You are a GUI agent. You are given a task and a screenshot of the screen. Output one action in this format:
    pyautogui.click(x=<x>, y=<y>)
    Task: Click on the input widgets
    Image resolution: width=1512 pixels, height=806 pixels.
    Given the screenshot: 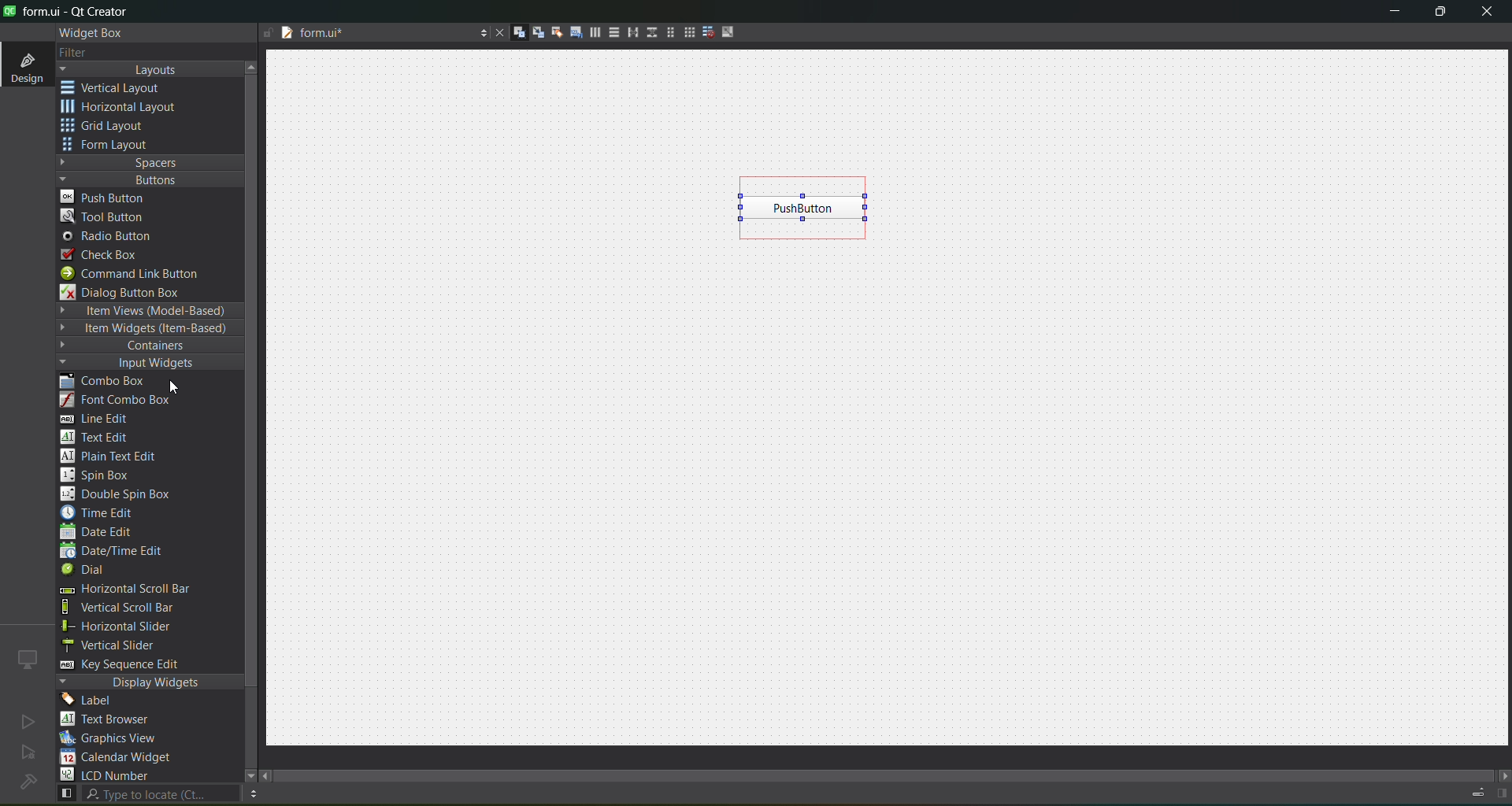 What is the action you would take?
    pyautogui.click(x=142, y=364)
    